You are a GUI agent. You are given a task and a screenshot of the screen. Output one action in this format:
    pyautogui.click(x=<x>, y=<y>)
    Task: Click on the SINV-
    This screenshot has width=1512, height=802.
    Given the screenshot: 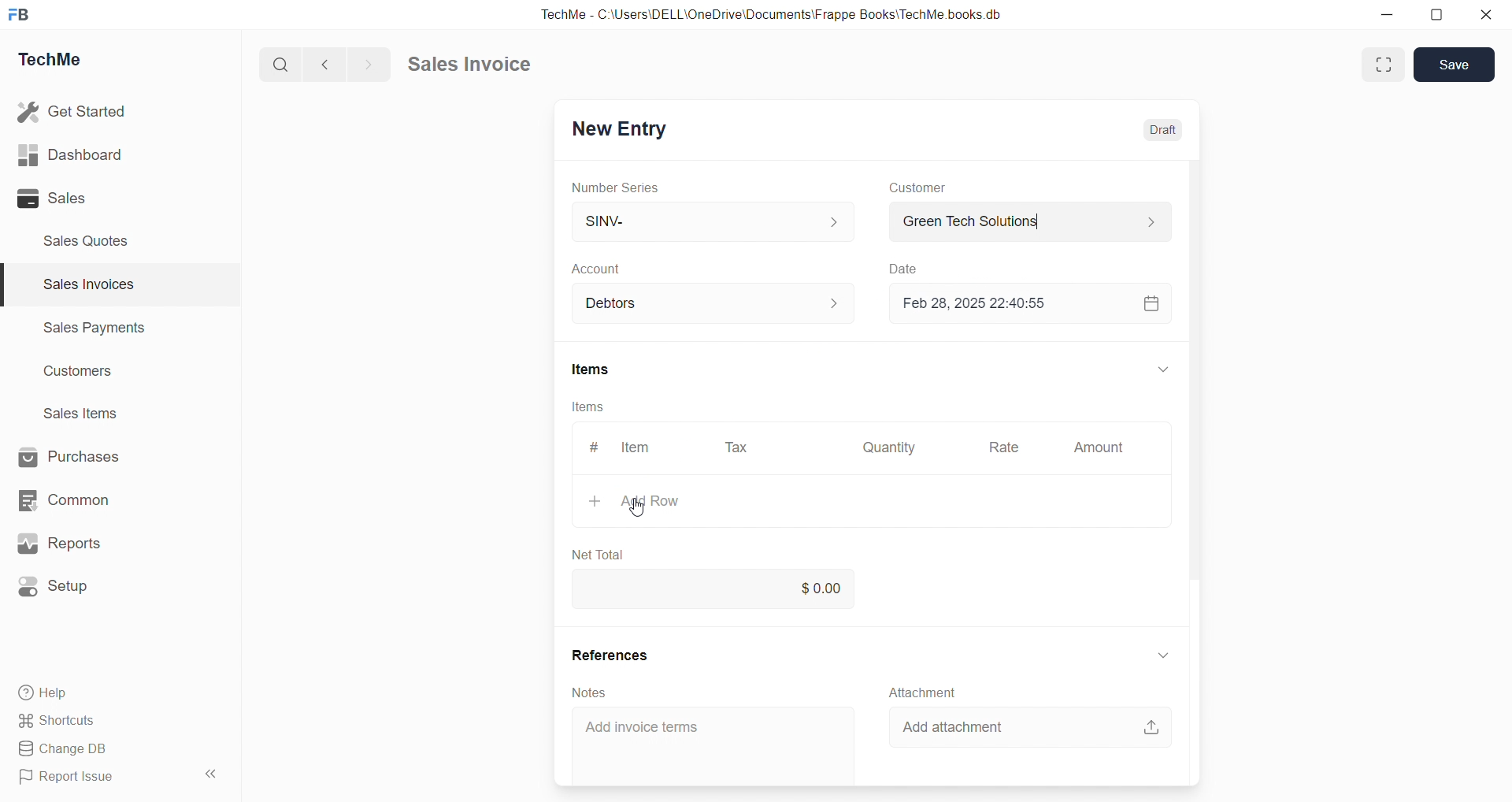 What is the action you would take?
    pyautogui.click(x=713, y=220)
    